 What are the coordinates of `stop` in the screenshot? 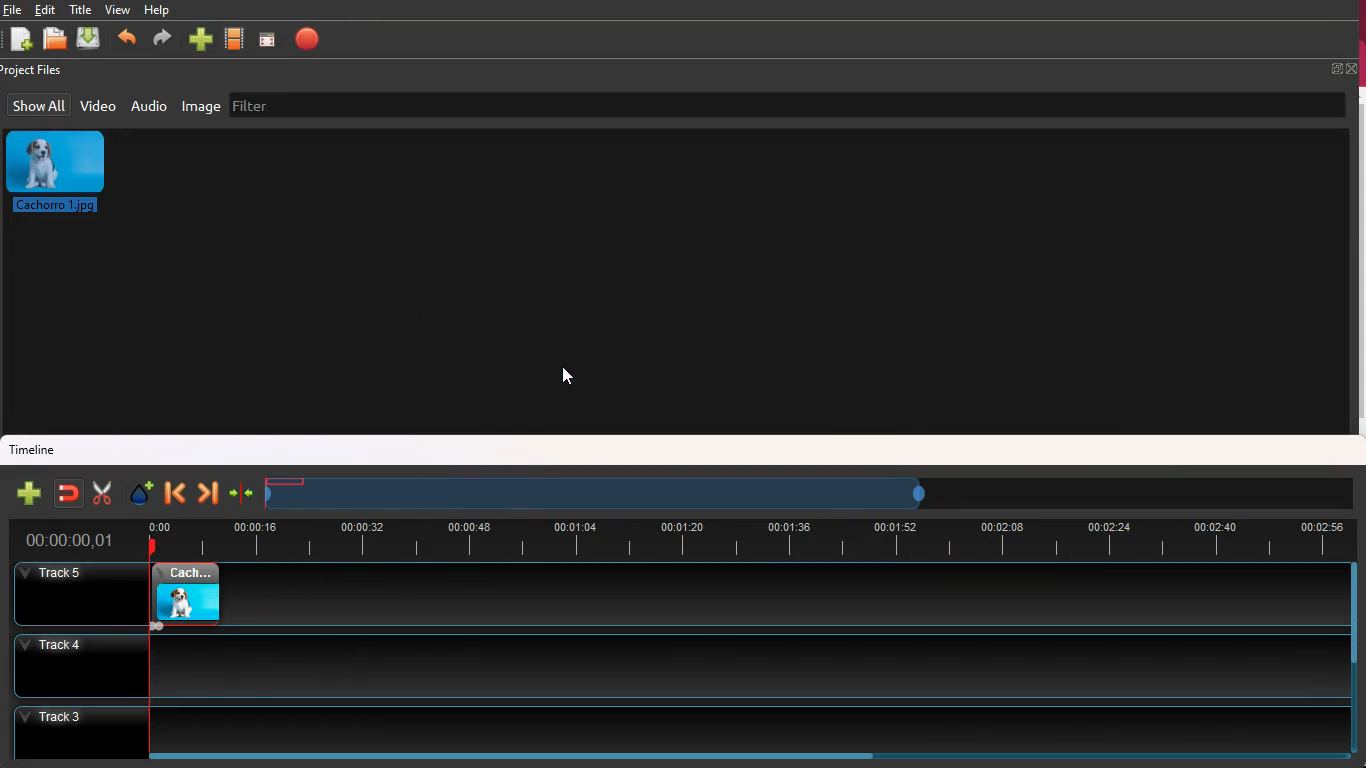 It's located at (312, 38).